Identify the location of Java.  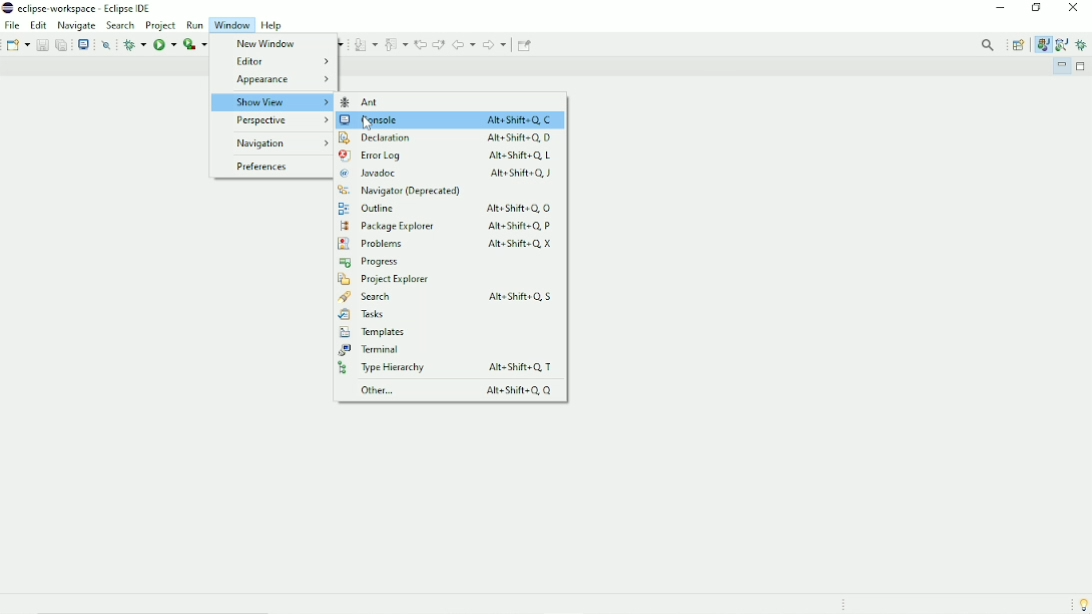
(1043, 45).